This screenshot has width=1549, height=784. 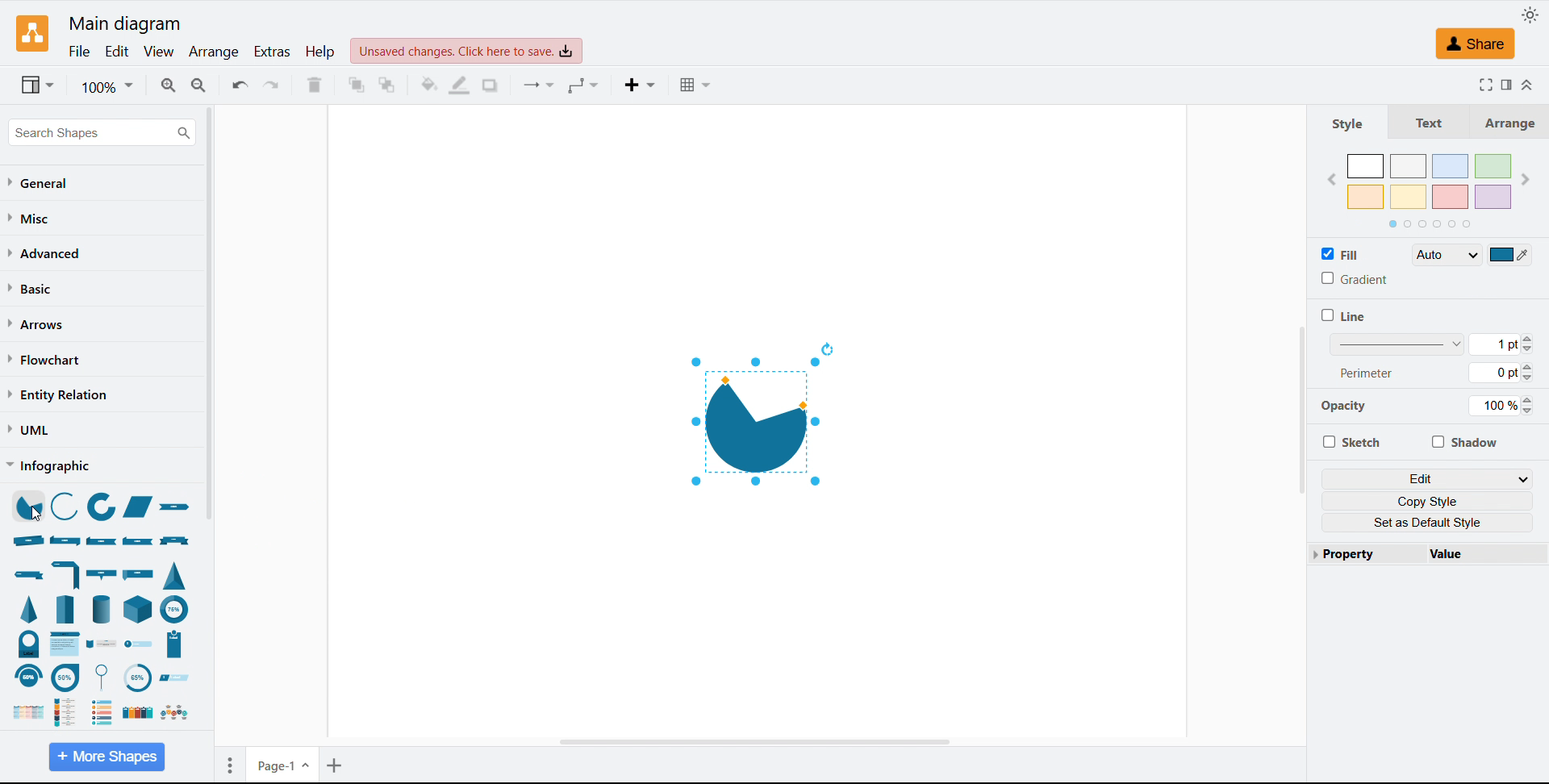 What do you see at coordinates (107, 132) in the screenshot?
I see `Search shapes ` at bounding box center [107, 132].